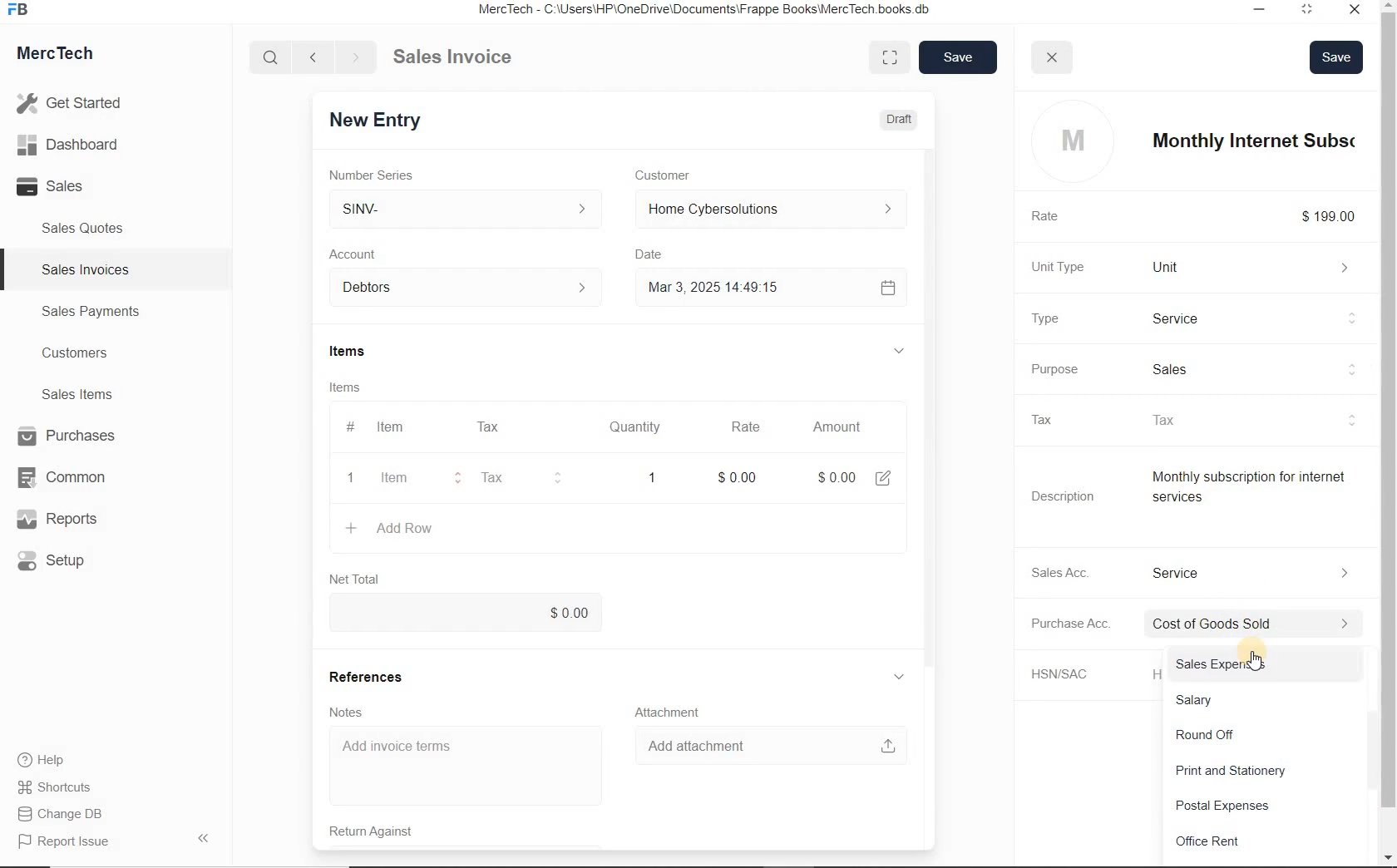 The height and width of the screenshot is (868, 1397). I want to click on Purchases, so click(69, 437).